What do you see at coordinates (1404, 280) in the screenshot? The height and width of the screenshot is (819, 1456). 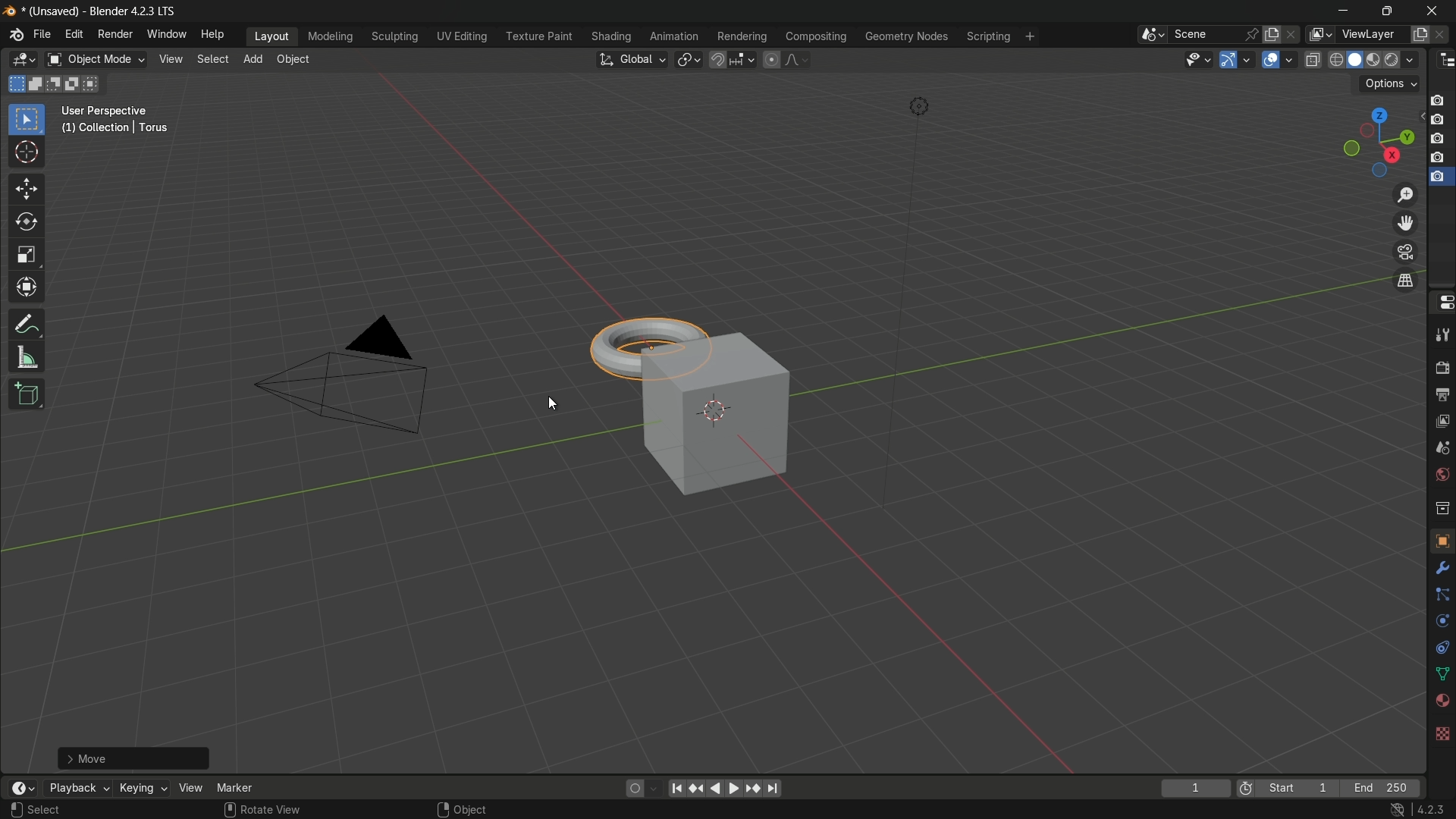 I see `switch the current view` at bounding box center [1404, 280].